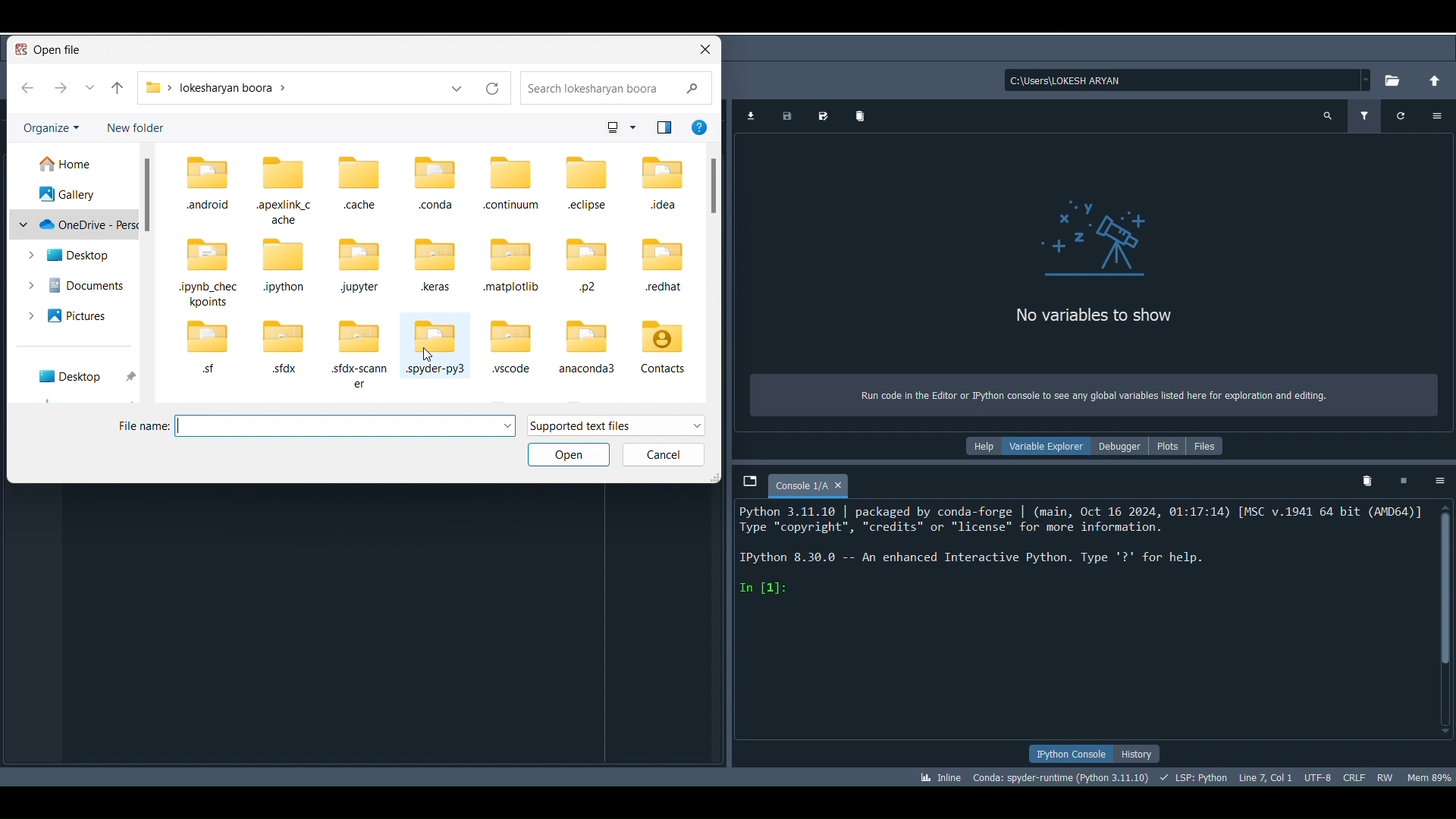  Describe the element at coordinates (435, 353) in the screenshot. I see `Folder` at that location.